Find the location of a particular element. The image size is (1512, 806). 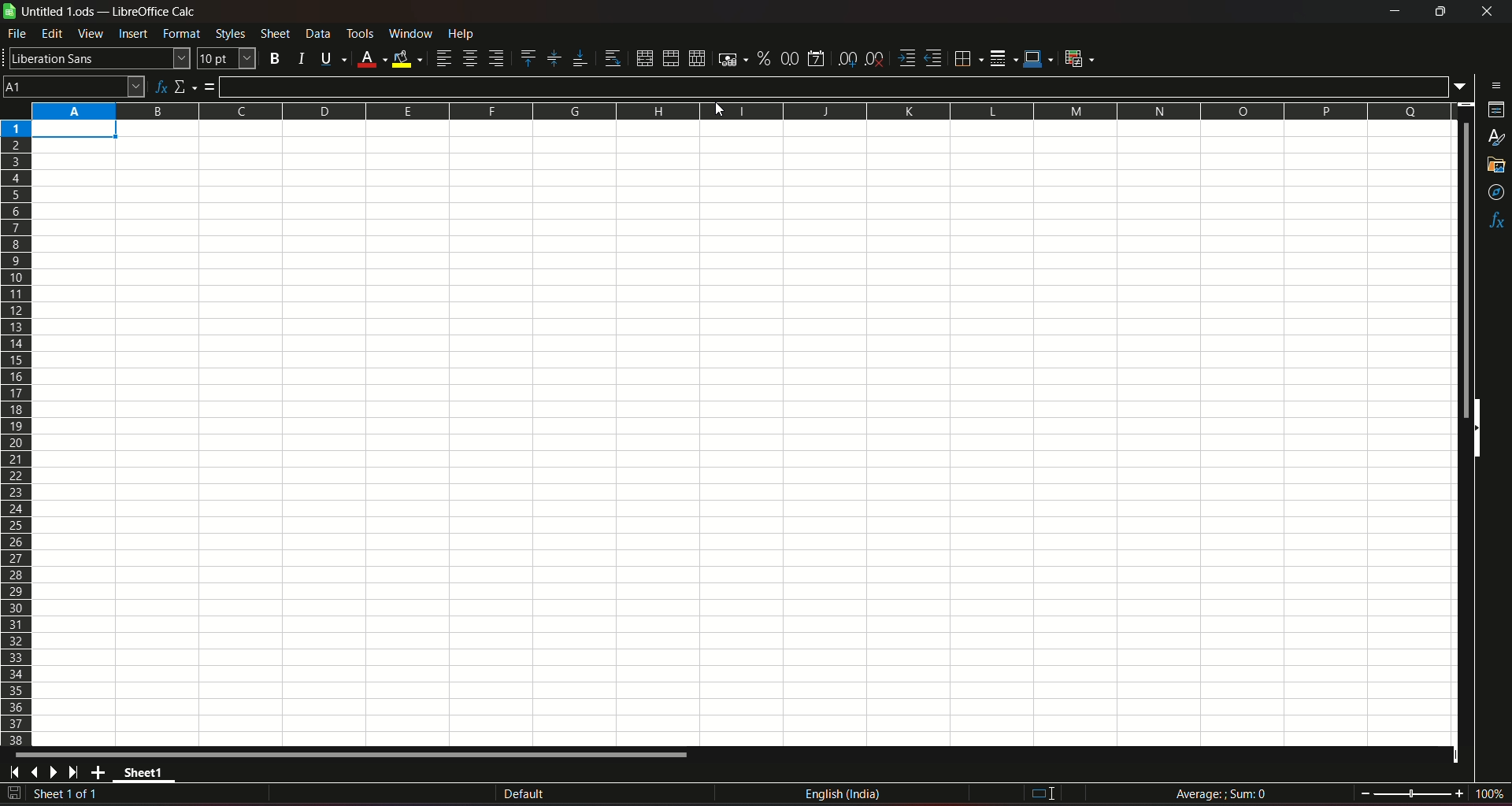

columns is located at coordinates (743, 113).